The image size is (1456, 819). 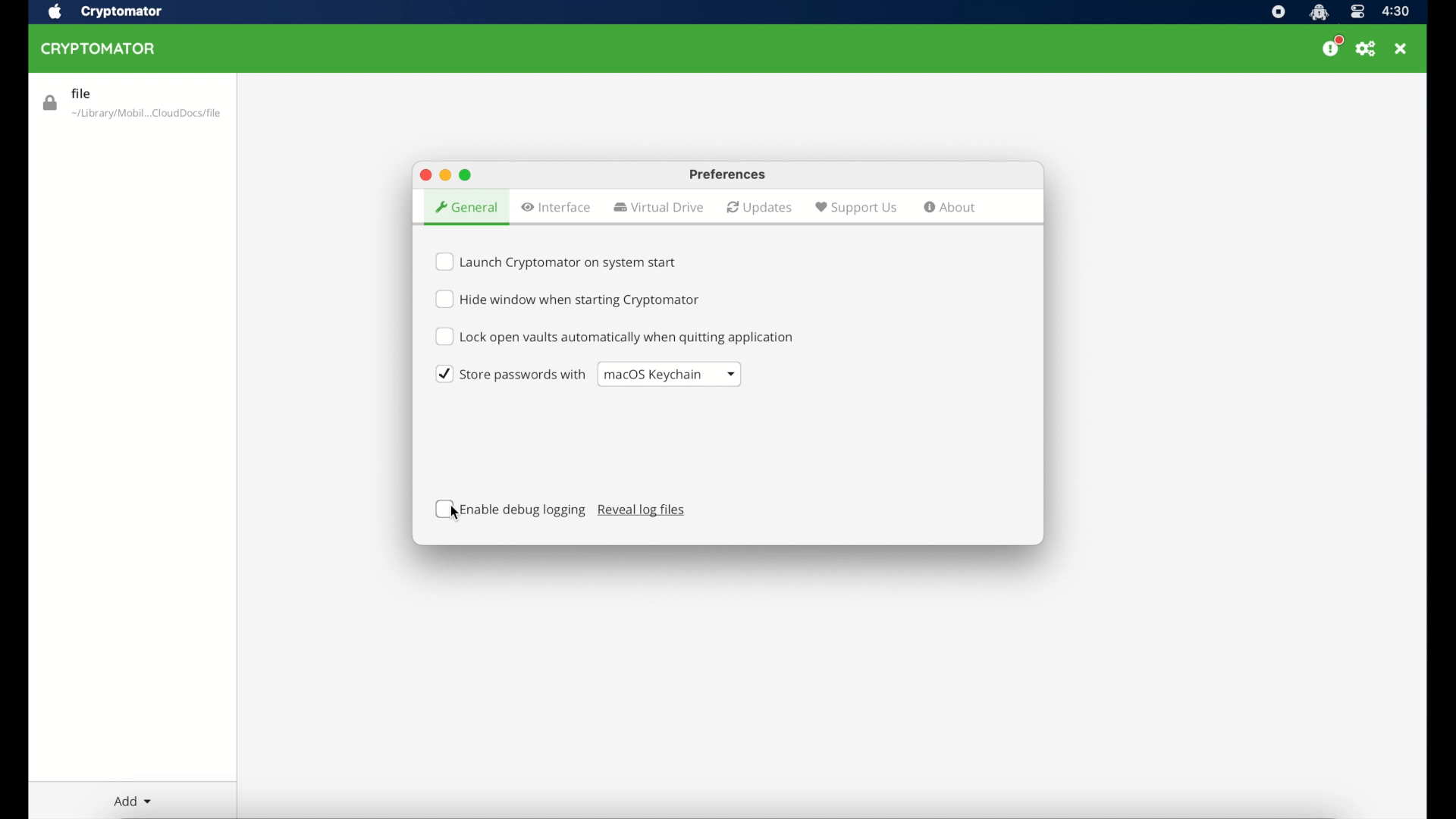 What do you see at coordinates (855, 207) in the screenshot?
I see `support us` at bounding box center [855, 207].